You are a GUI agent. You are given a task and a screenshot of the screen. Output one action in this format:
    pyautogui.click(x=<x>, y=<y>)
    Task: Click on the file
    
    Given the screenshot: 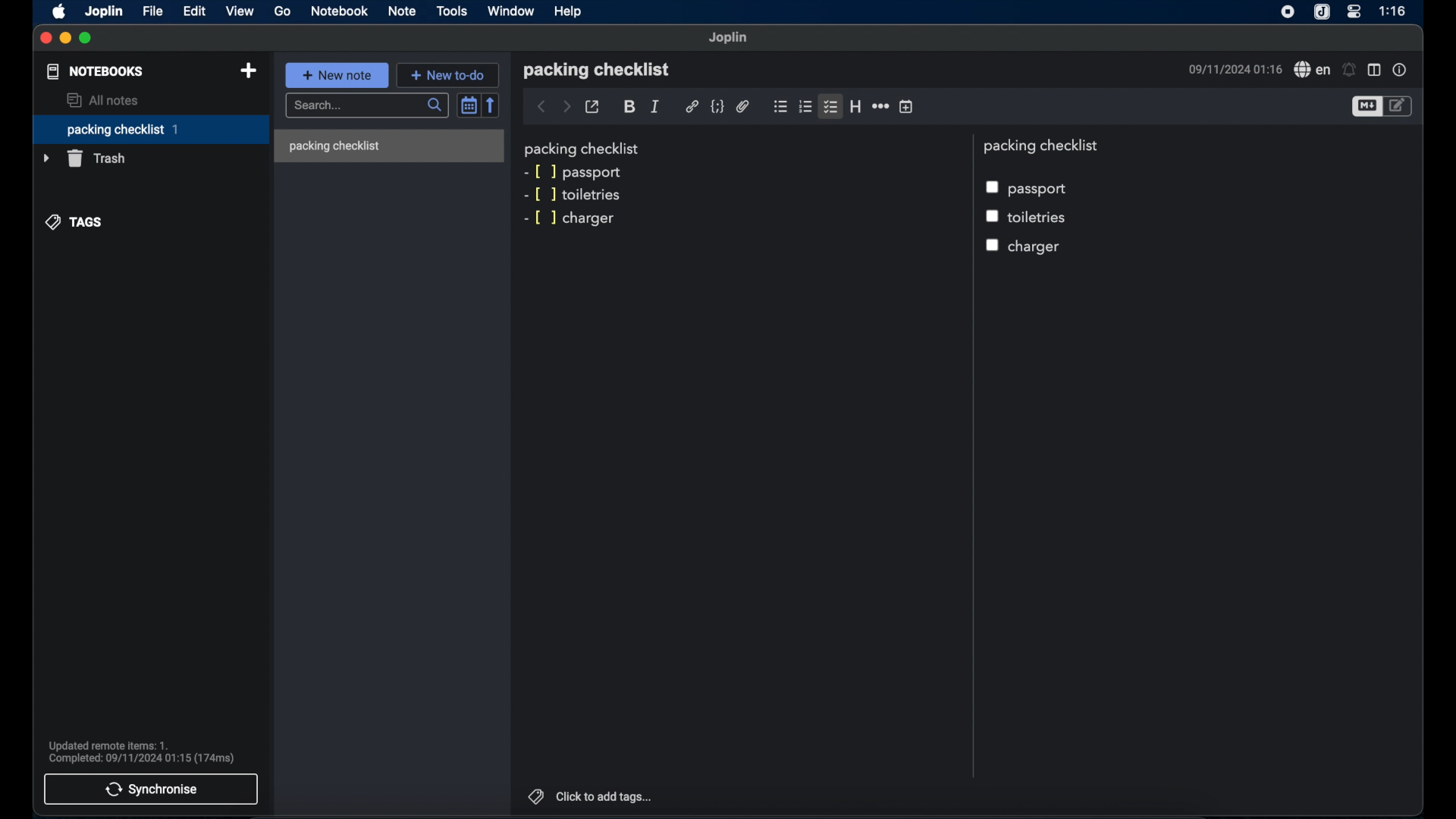 What is the action you would take?
    pyautogui.click(x=154, y=11)
    